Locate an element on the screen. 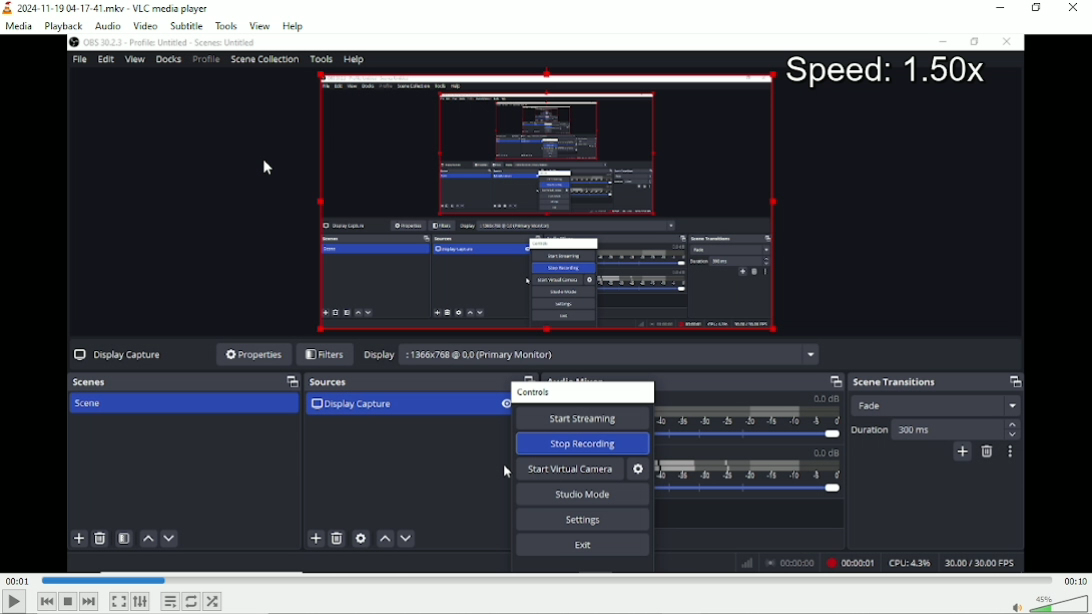 The width and height of the screenshot is (1092, 614). tools is located at coordinates (224, 25).